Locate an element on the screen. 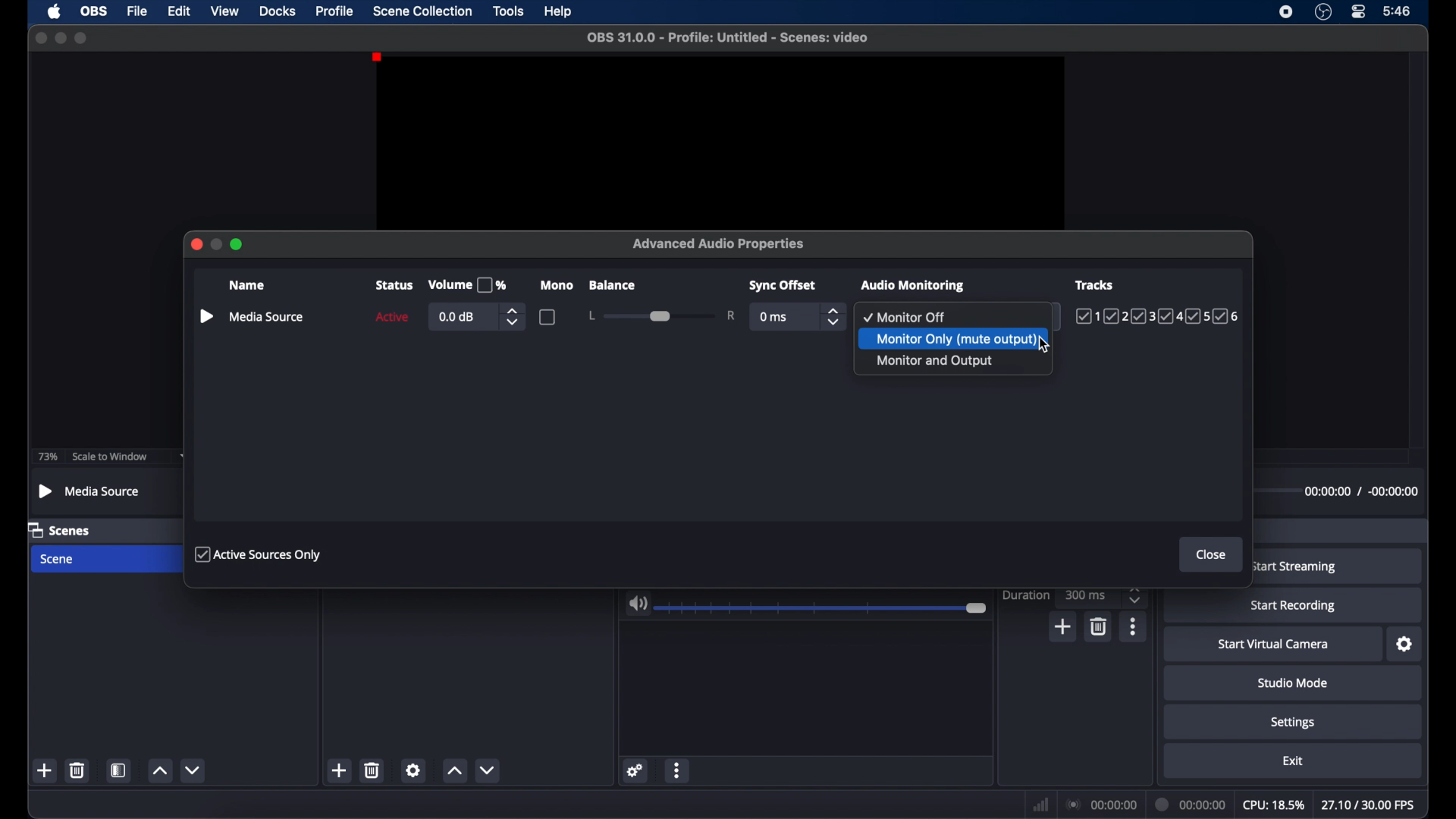 The image size is (1456, 819). duration is located at coordinates (1025, 595).